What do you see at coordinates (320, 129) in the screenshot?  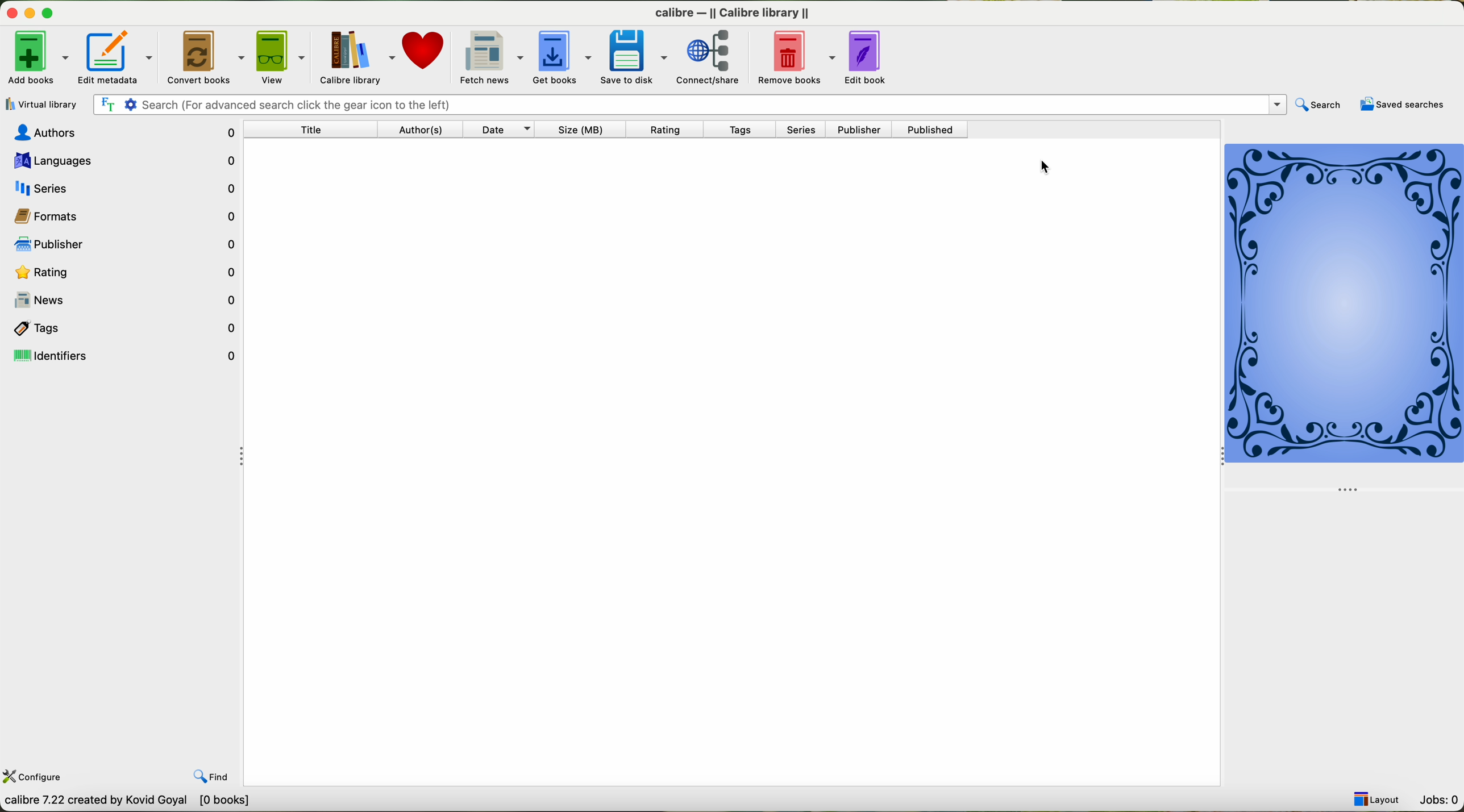 I see `title` at bounding box center [320, 129].